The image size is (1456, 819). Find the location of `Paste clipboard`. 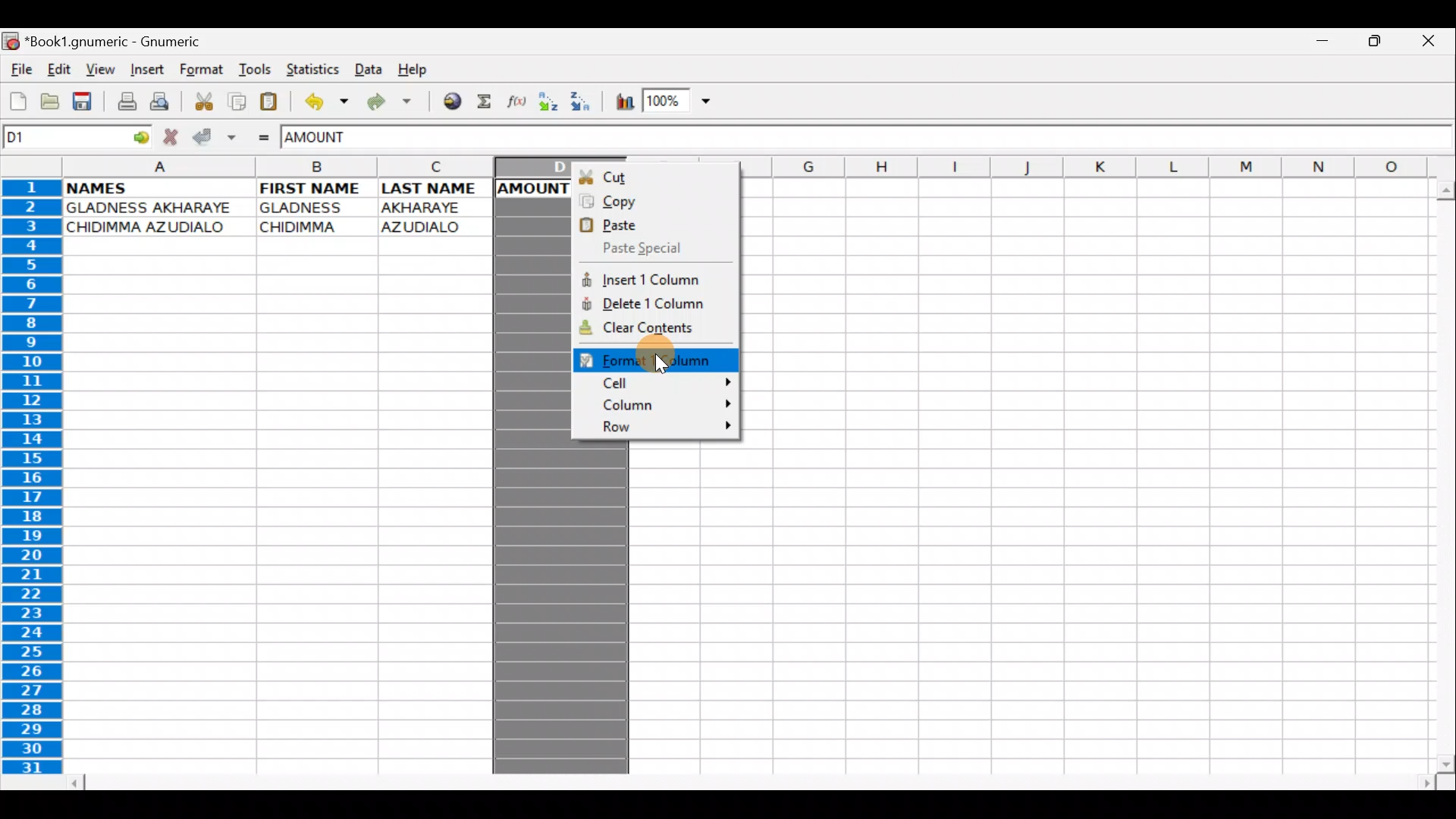

Paste clipboard is located at coordinates (271, 100).